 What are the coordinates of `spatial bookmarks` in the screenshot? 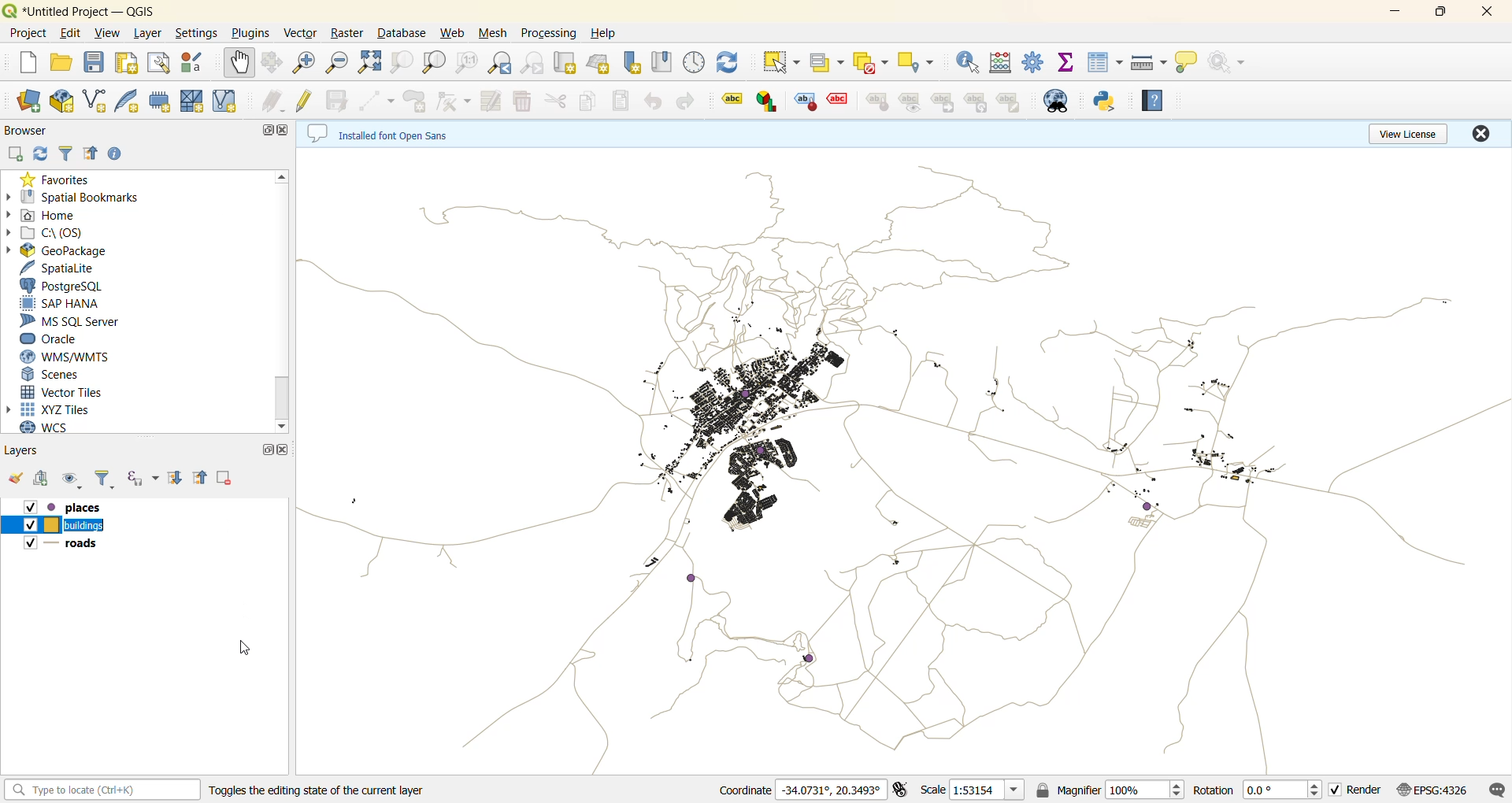 It's located at (82, 197).